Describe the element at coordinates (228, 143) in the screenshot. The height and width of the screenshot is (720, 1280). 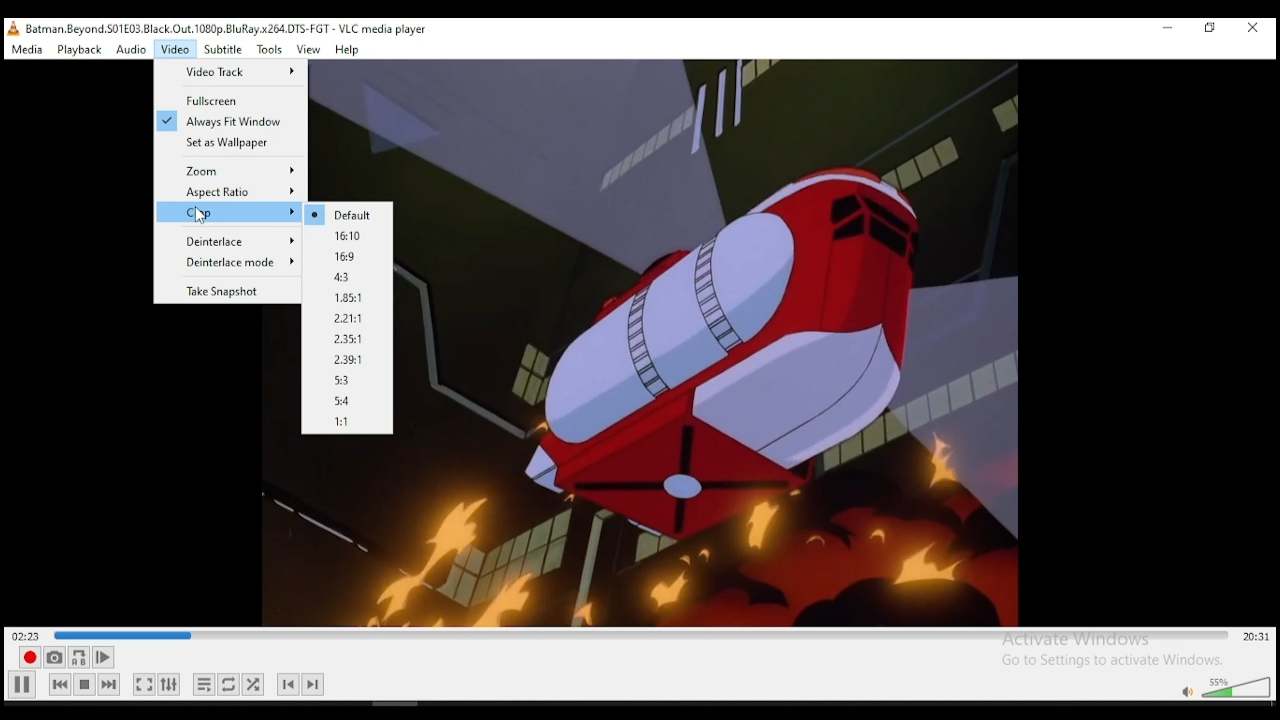
I see `Set as wallpaper` at that location.